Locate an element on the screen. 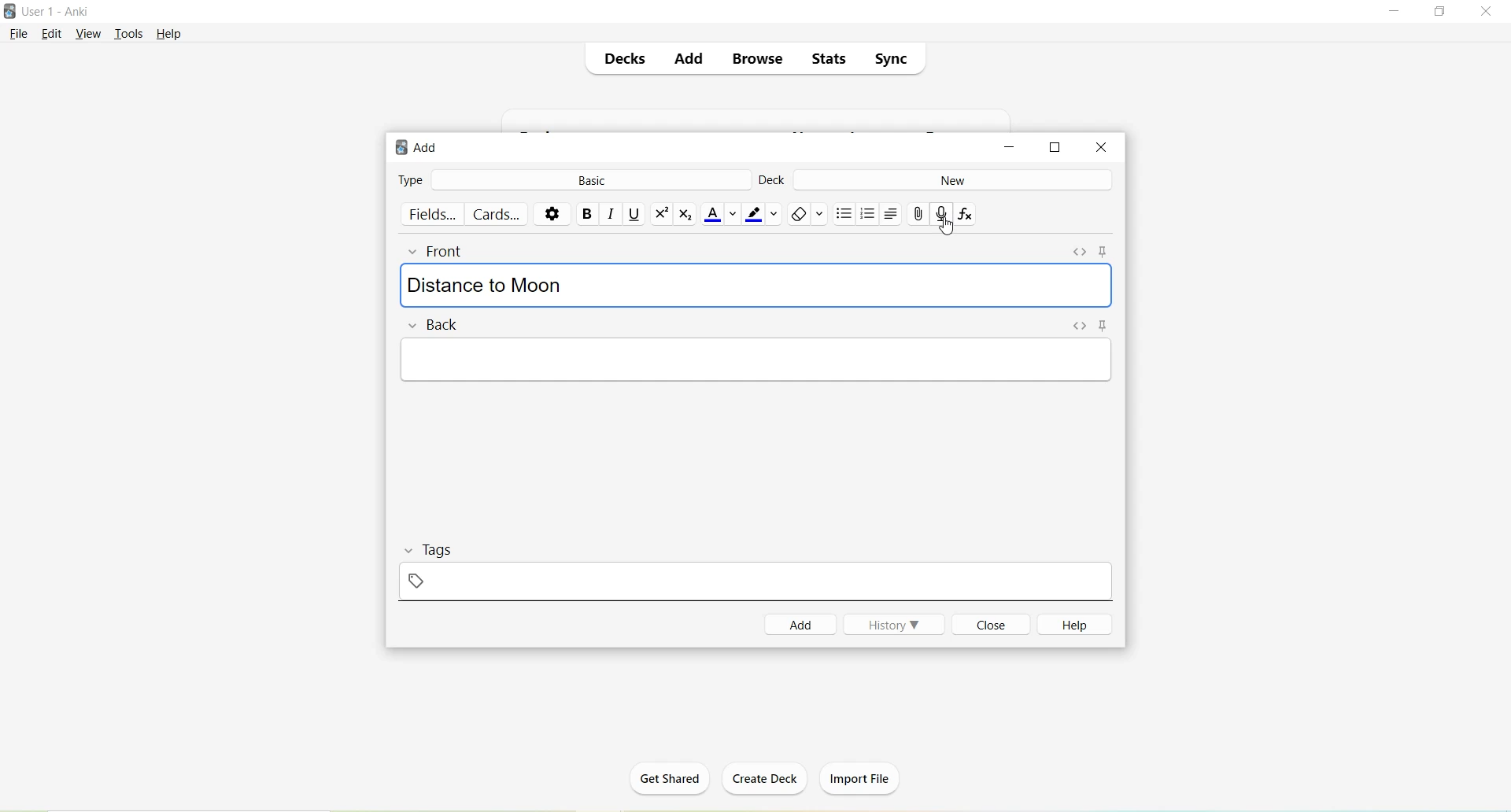 Image resolution: width=1511 pixels, height=812 pixels. User 1 - Anki is located at coordinates (57, 11).